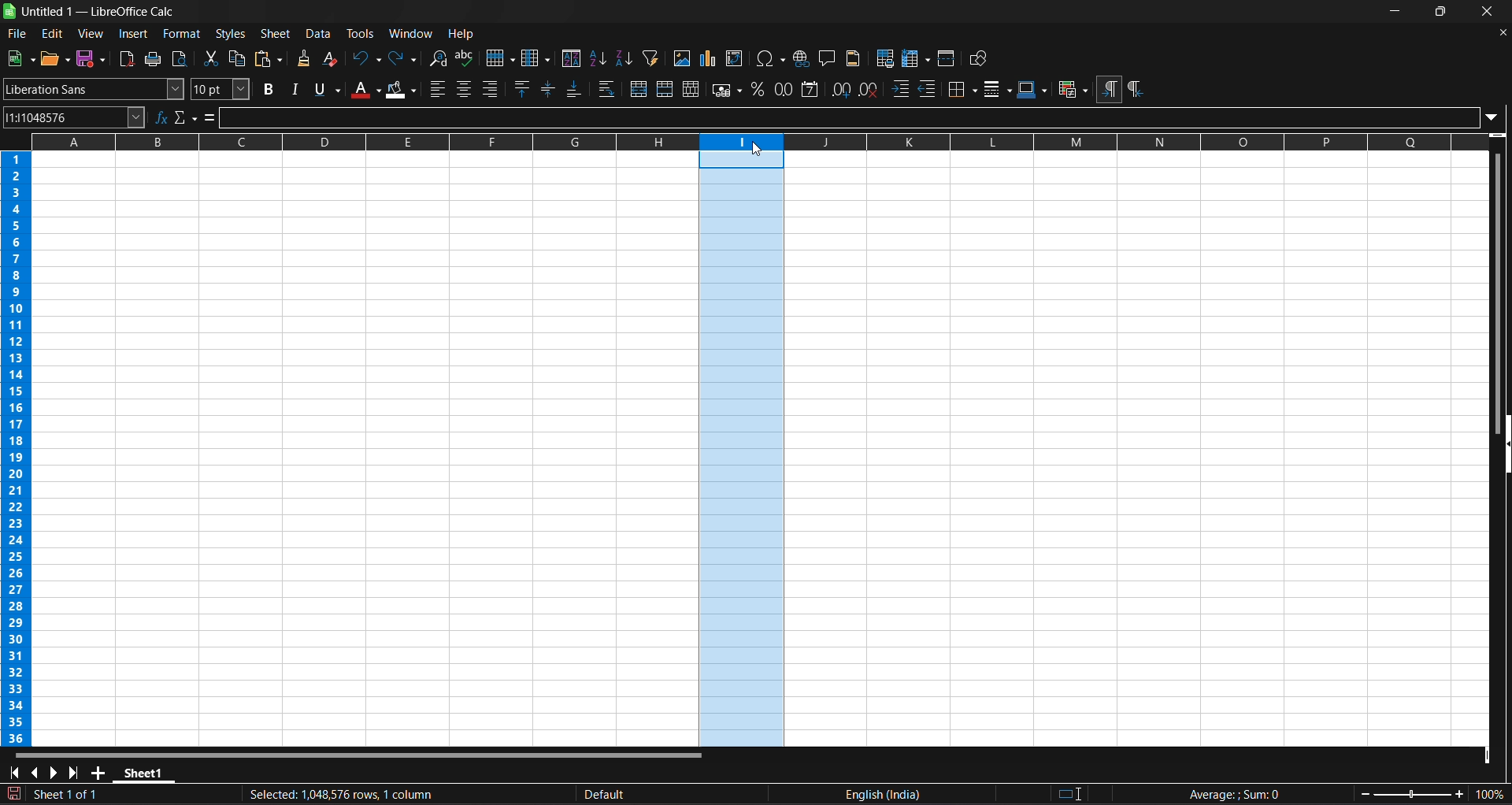 The height and width of the screenshot is (805, 1512). I want to click on close, so click(1490, 11).